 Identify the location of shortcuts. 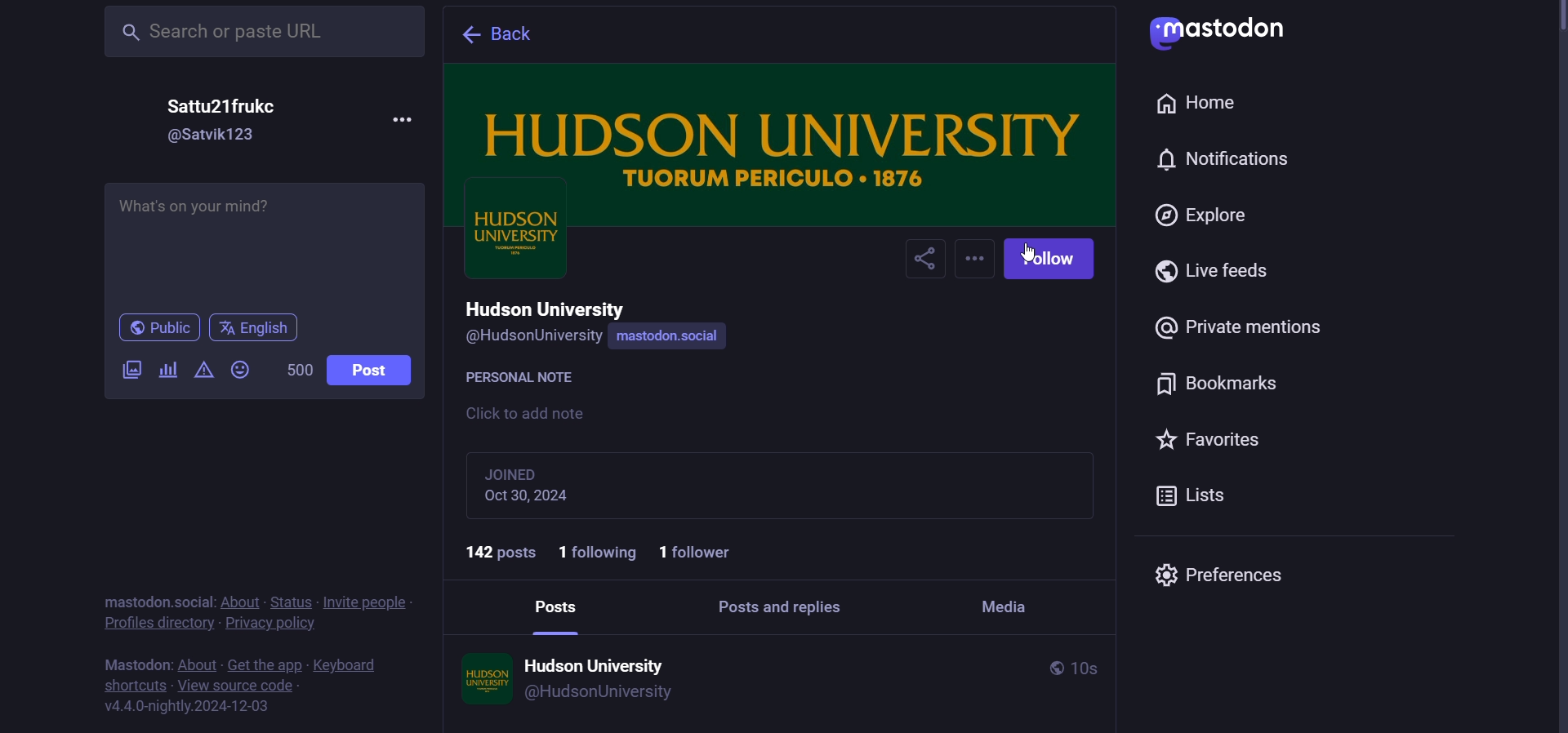
(134, 684).